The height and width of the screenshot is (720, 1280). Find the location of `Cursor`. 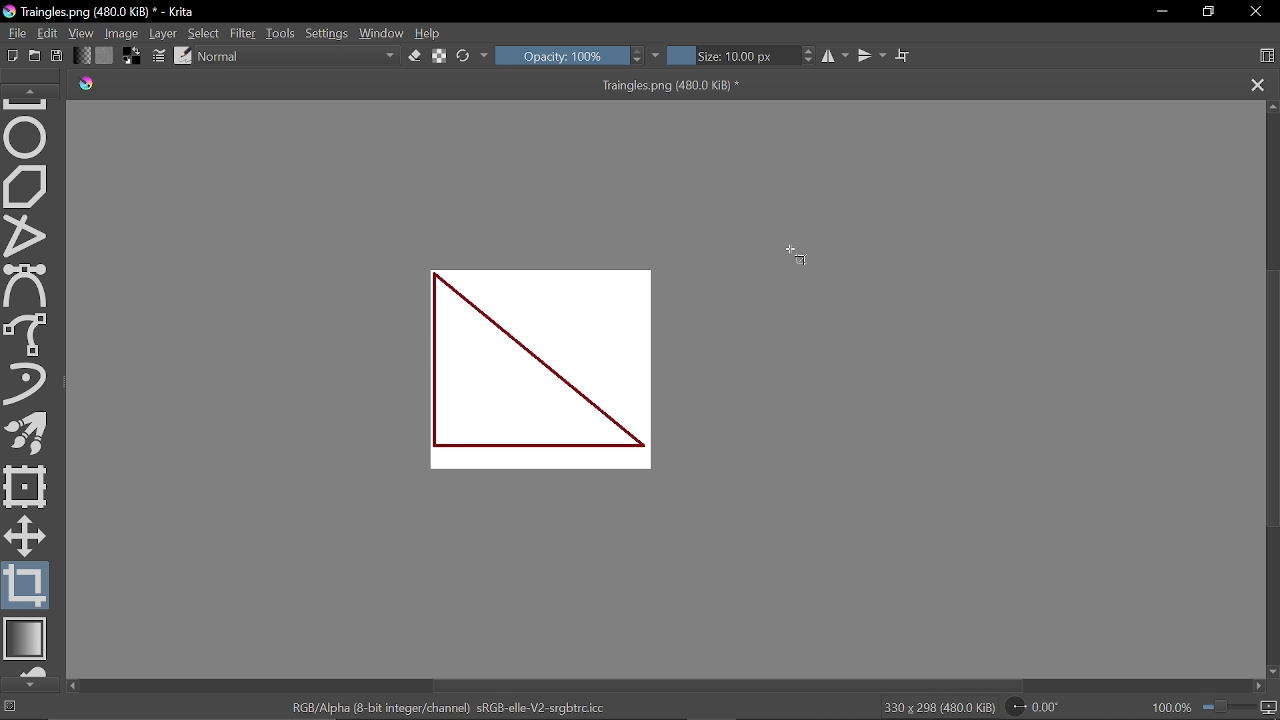

Cursor is located at coordinates (795, 253).